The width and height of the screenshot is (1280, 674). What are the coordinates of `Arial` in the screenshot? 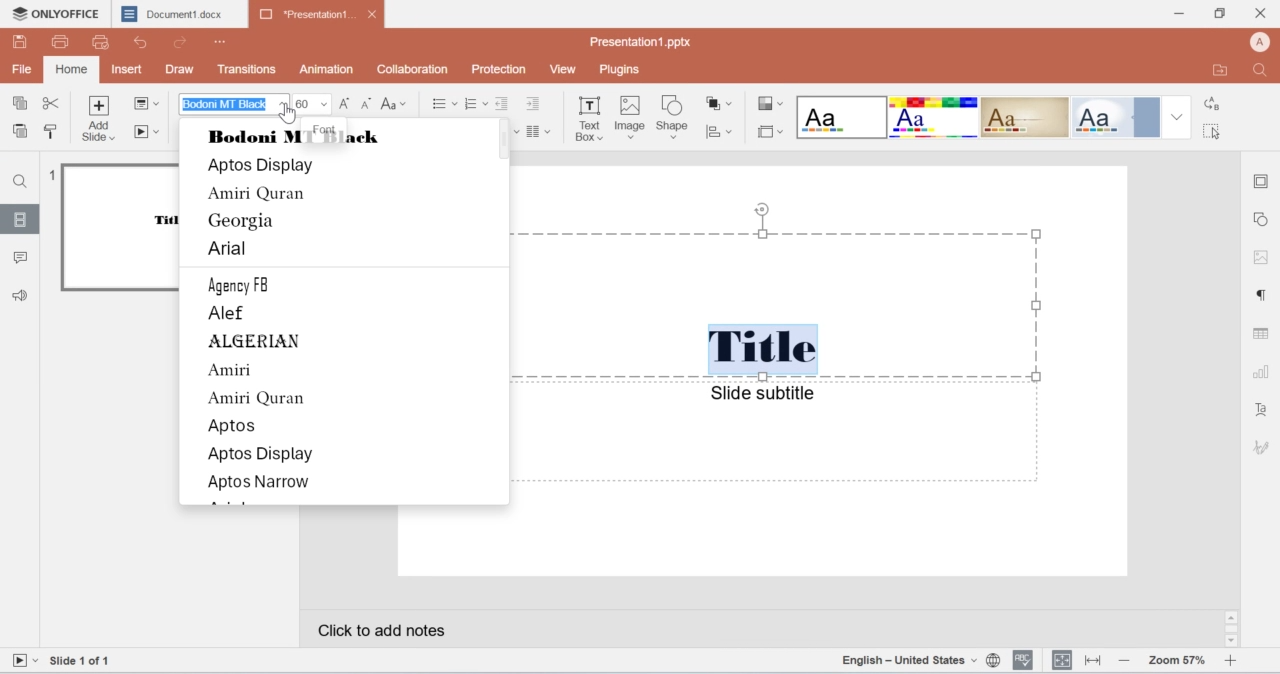 It's located at (230, 252).